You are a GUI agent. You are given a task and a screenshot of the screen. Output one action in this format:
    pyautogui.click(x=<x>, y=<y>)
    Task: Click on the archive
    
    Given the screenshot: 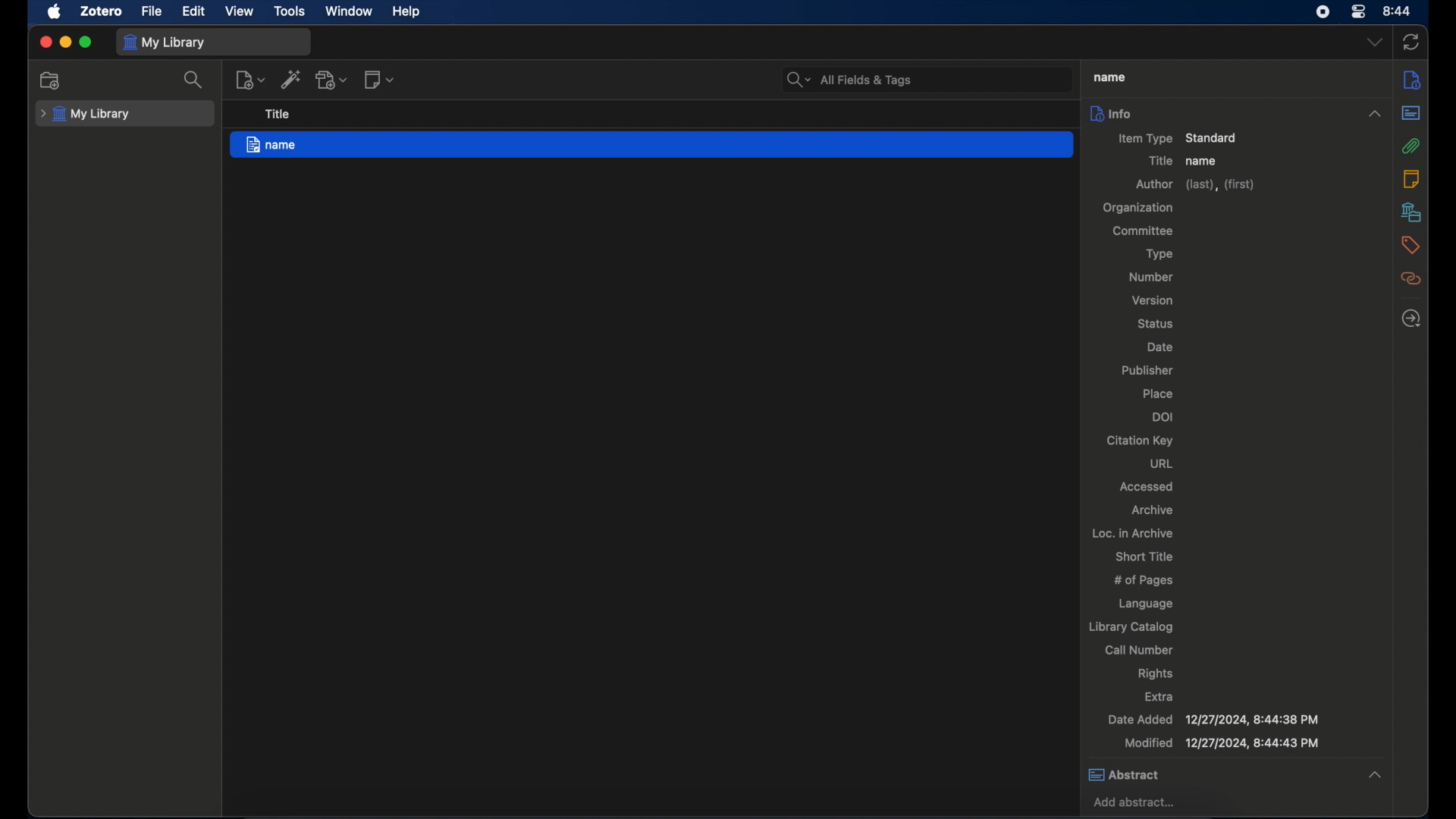 What is the action you would take?
    pyautogui.click(x=1151, y=509)
    